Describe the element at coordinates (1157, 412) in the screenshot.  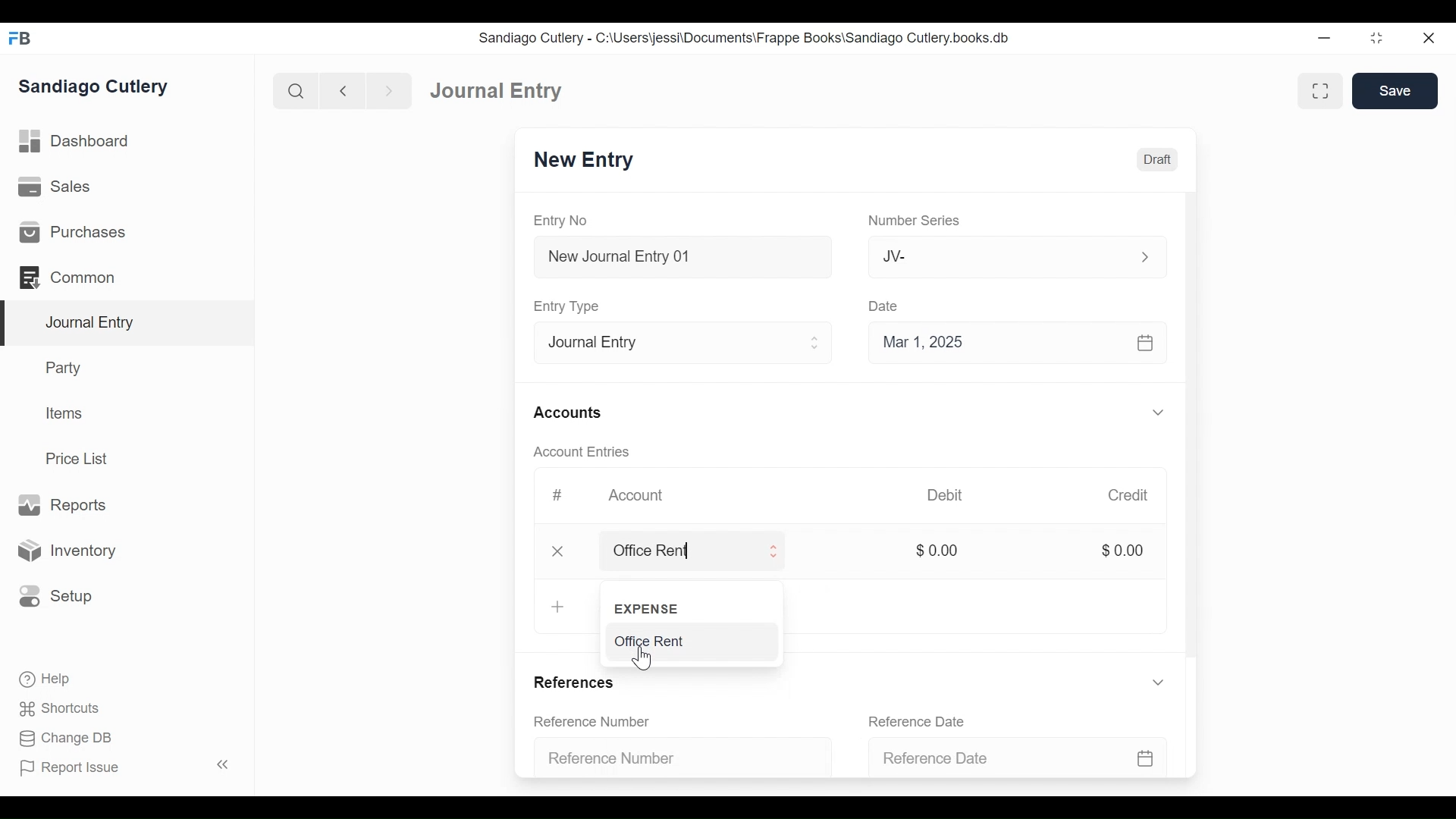
I see `expand/collapse` at that location.